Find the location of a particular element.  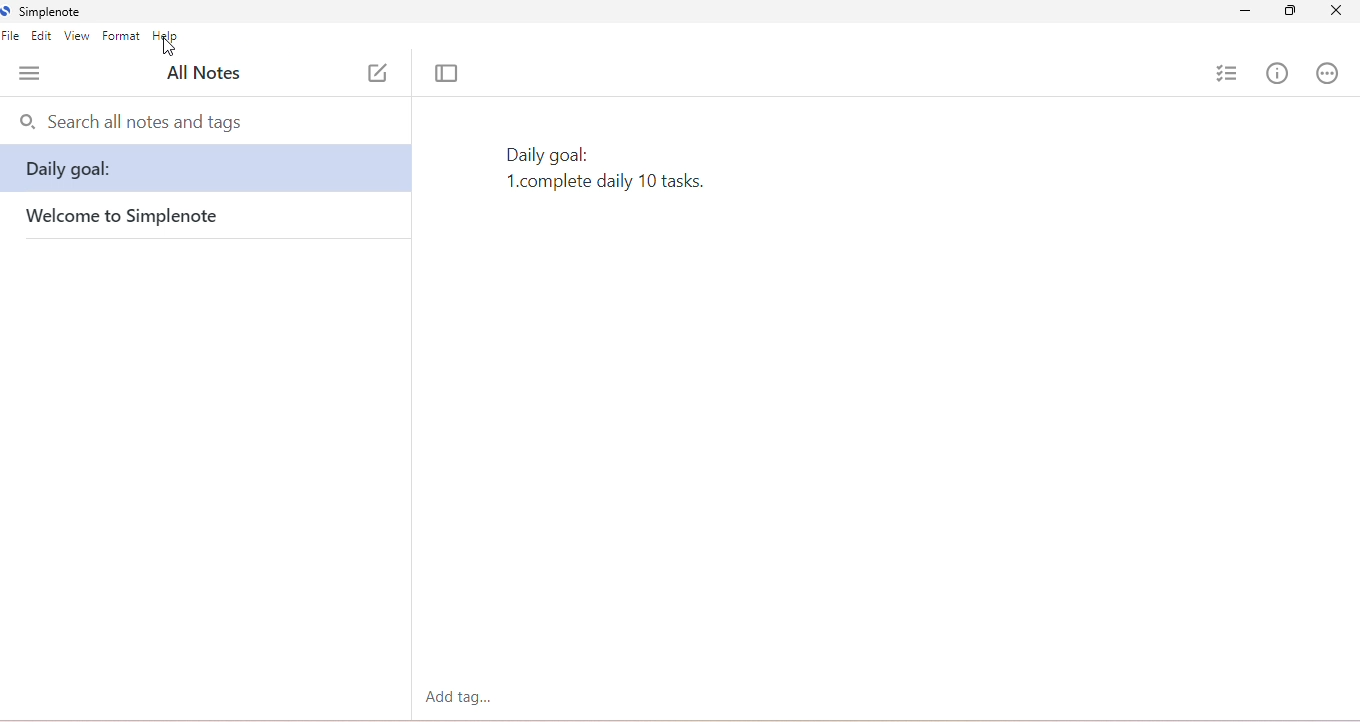

add tag is located at coordinates (462, 697).